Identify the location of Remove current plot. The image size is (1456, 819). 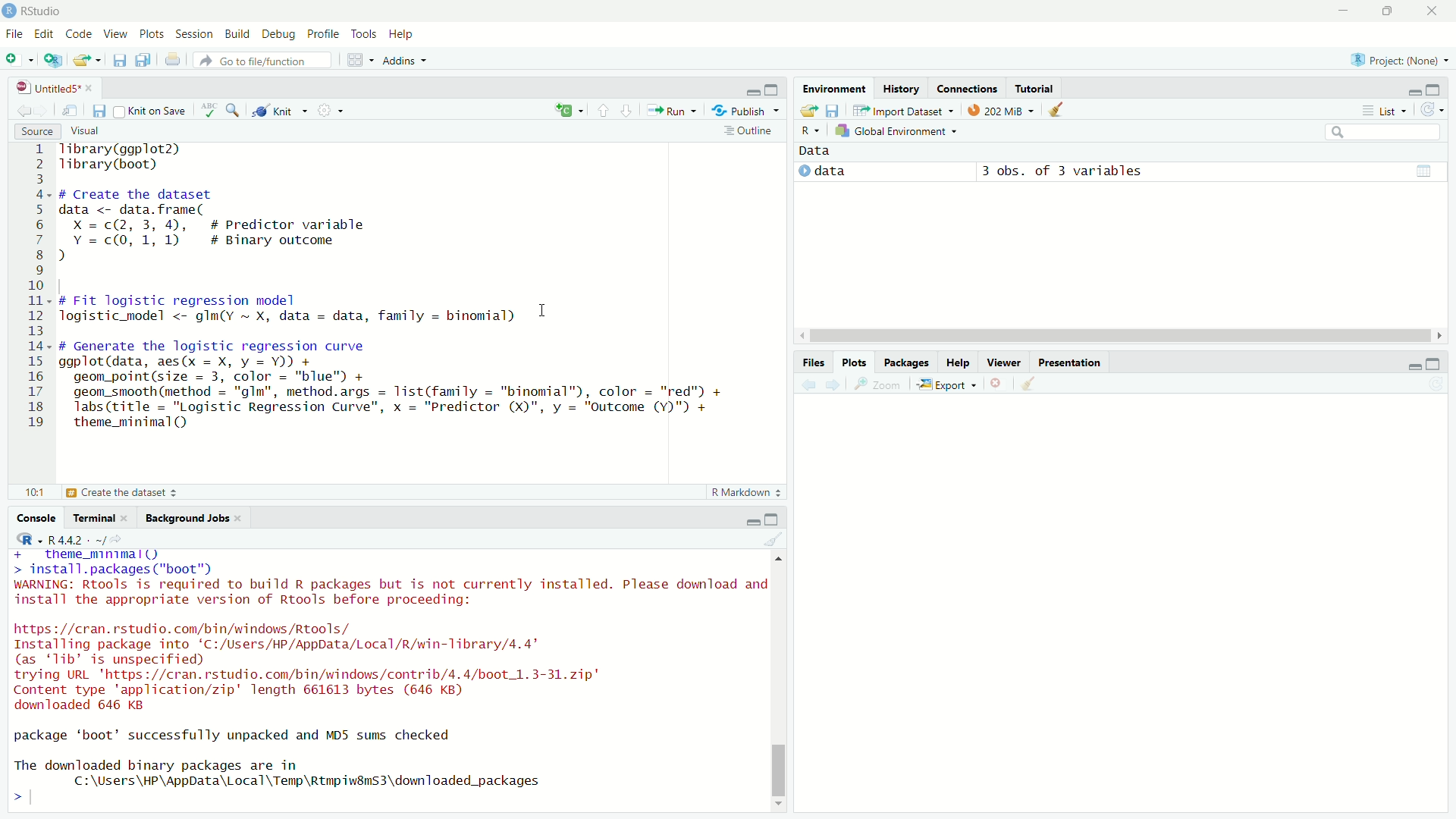
(999, 383).